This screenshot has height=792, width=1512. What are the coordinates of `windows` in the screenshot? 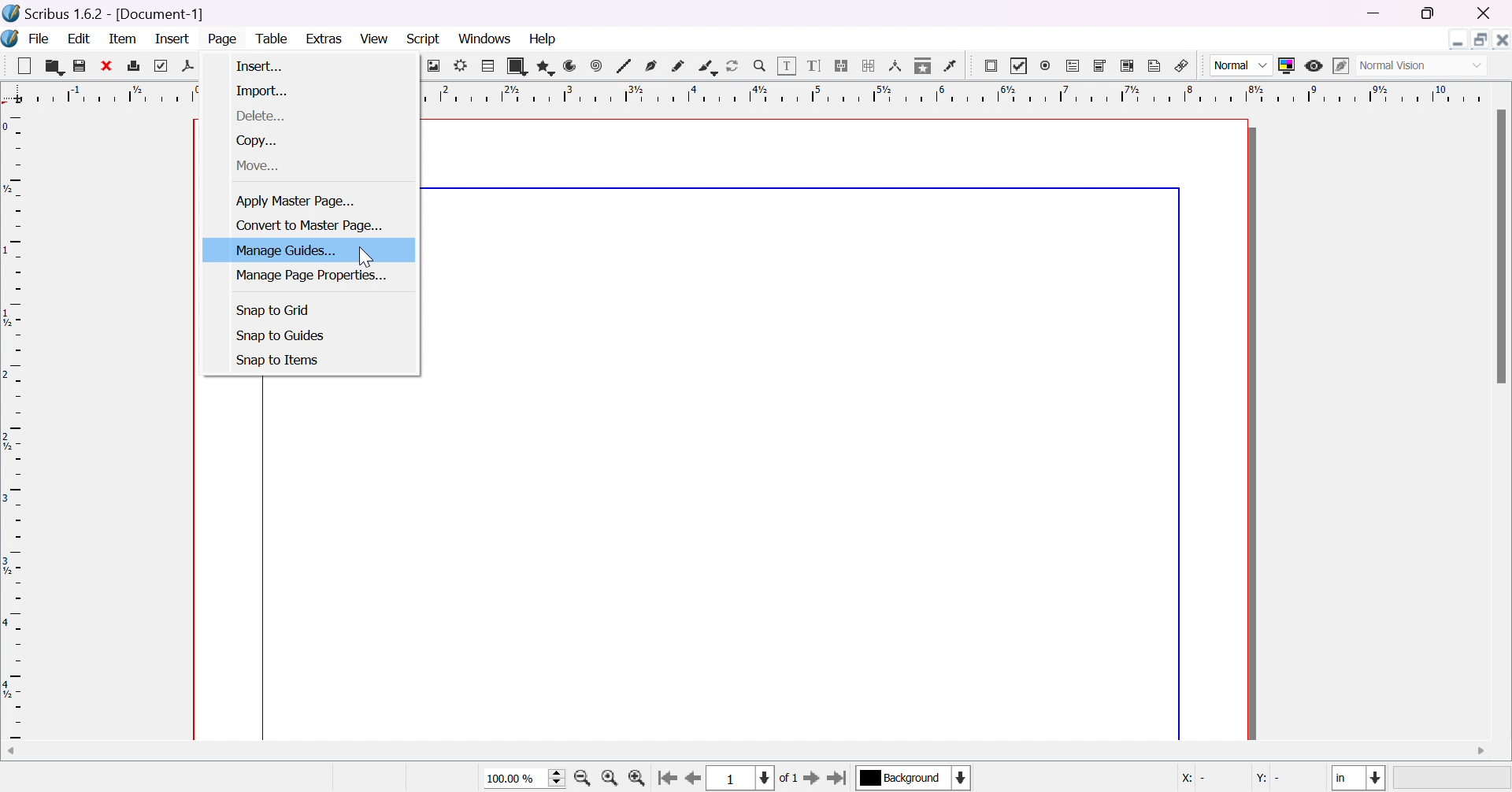 It's located at (483, 39).